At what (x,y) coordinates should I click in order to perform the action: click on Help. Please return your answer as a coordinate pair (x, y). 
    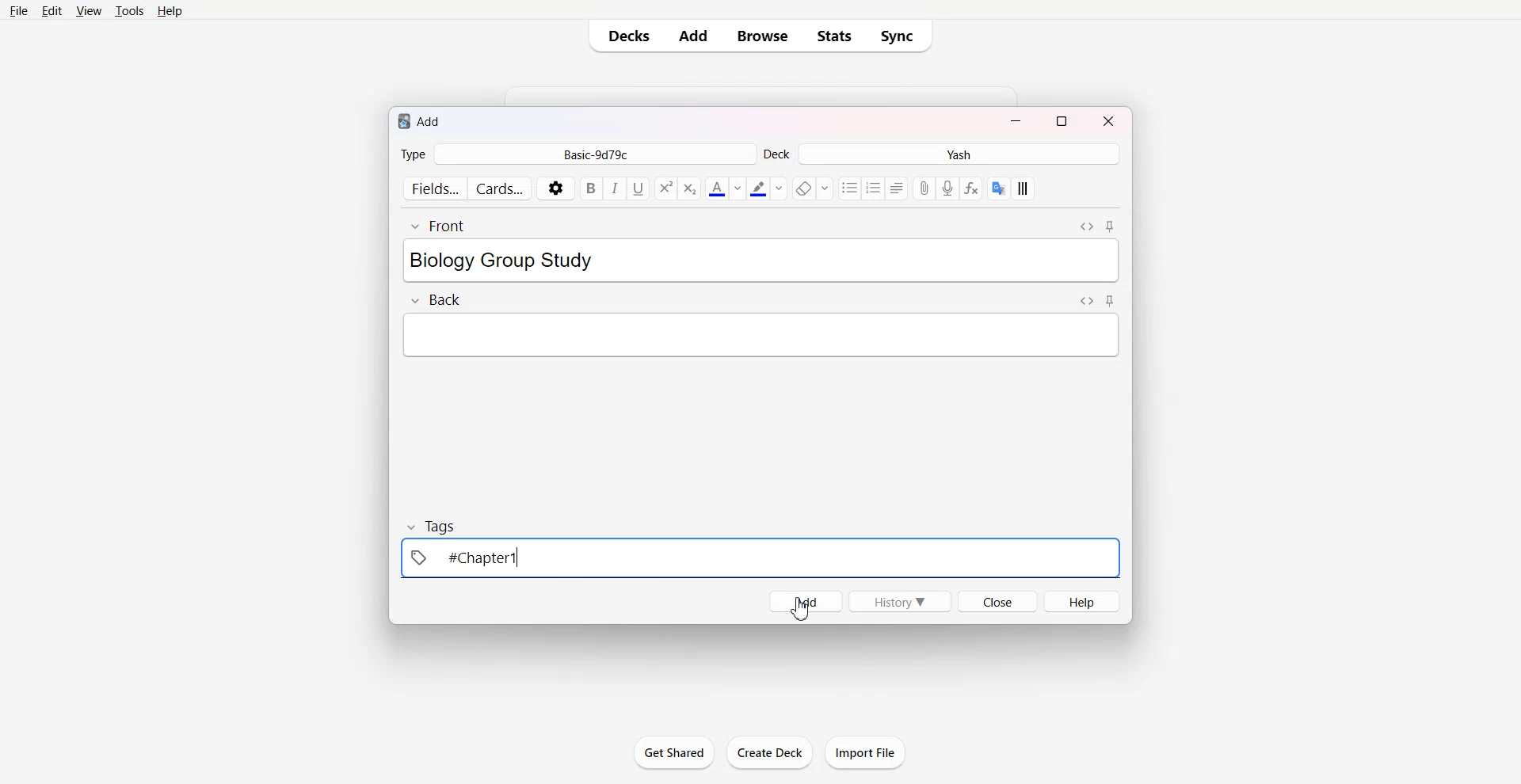
    Looking at the image, I should click on (173, 12).